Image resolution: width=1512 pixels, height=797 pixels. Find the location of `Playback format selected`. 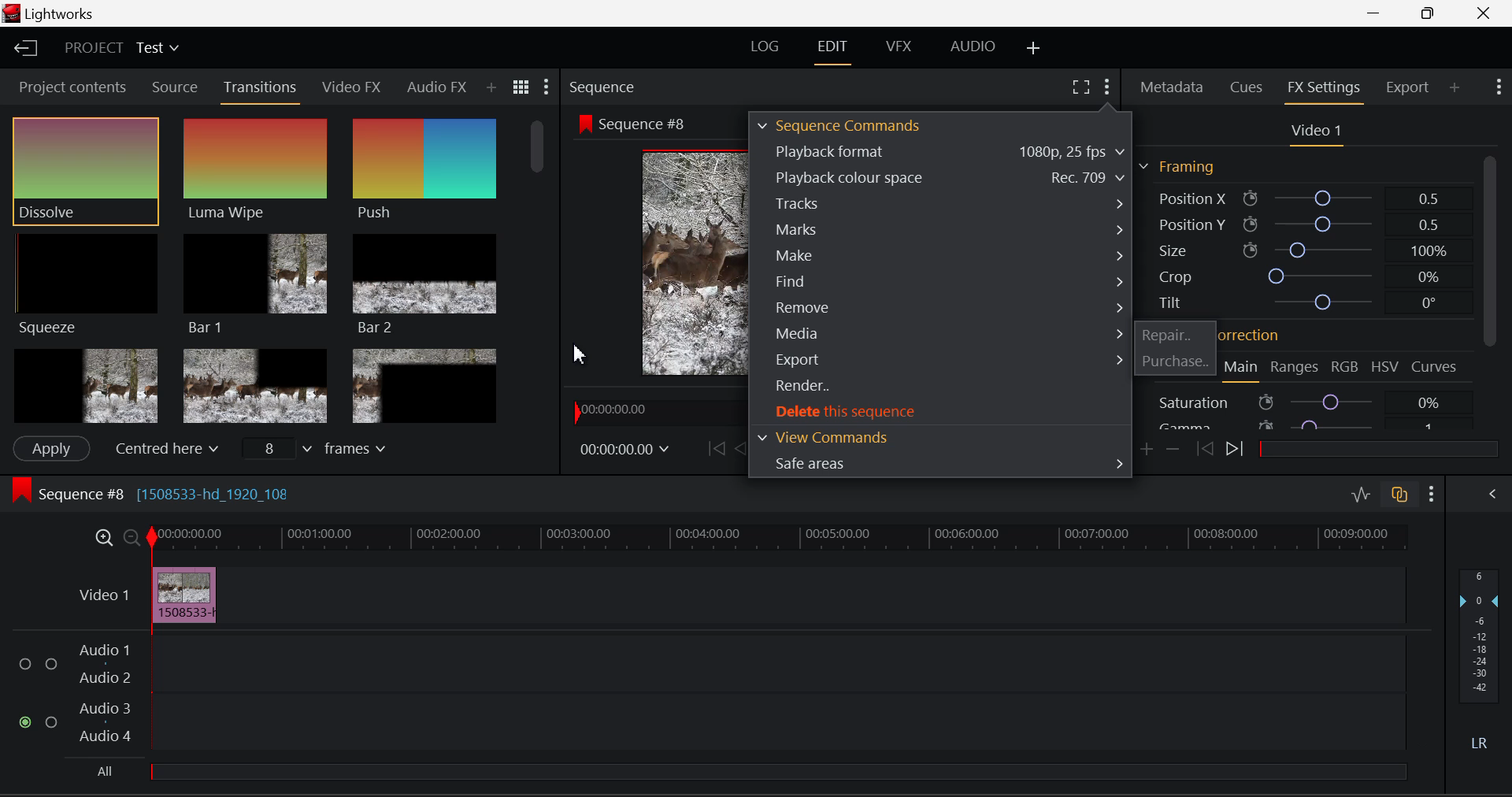

Playback format selected is located at coordinates (945, 154).